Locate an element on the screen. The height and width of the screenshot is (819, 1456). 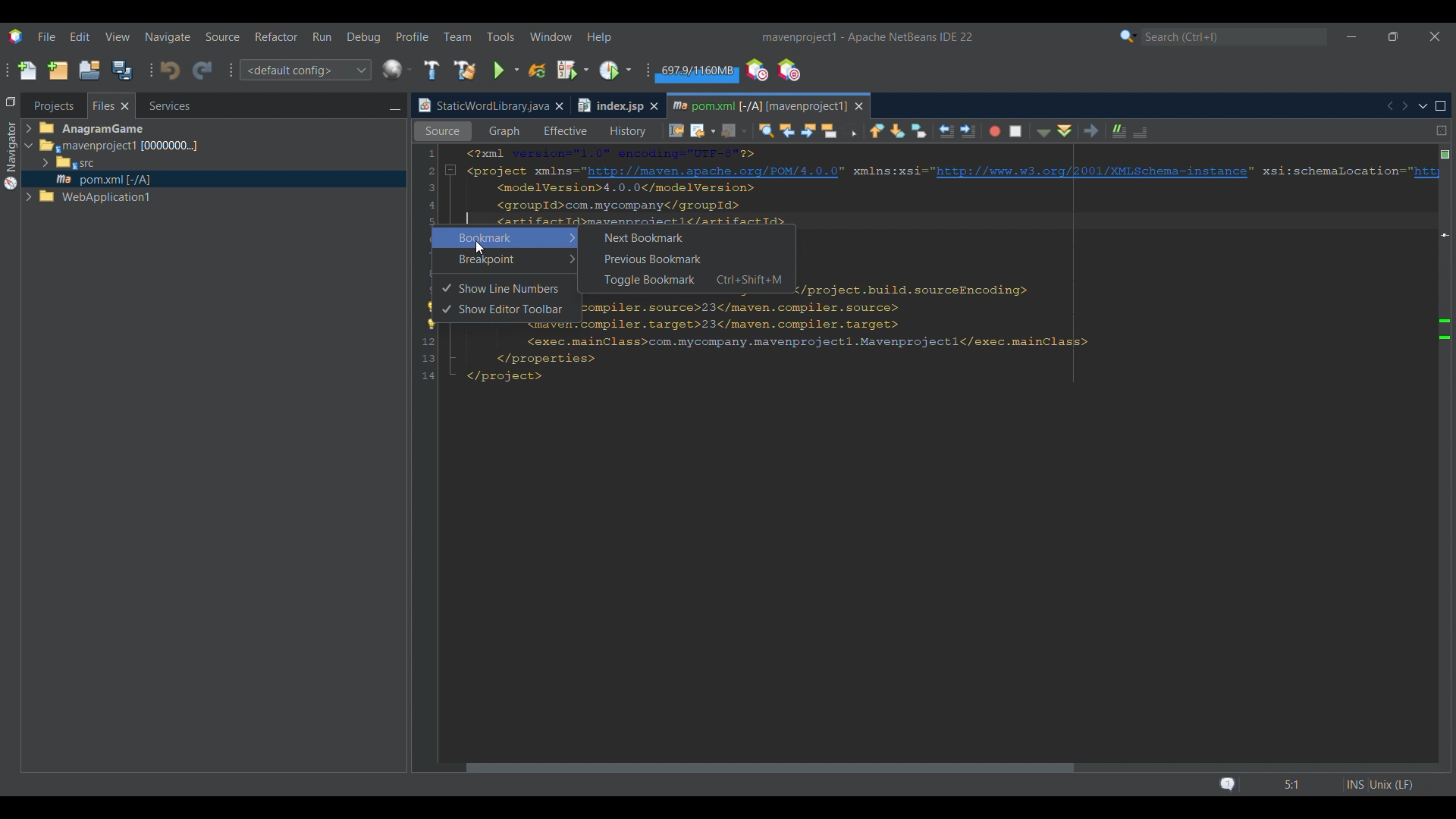
Previous bookmark is located at coordinates (877, 128).